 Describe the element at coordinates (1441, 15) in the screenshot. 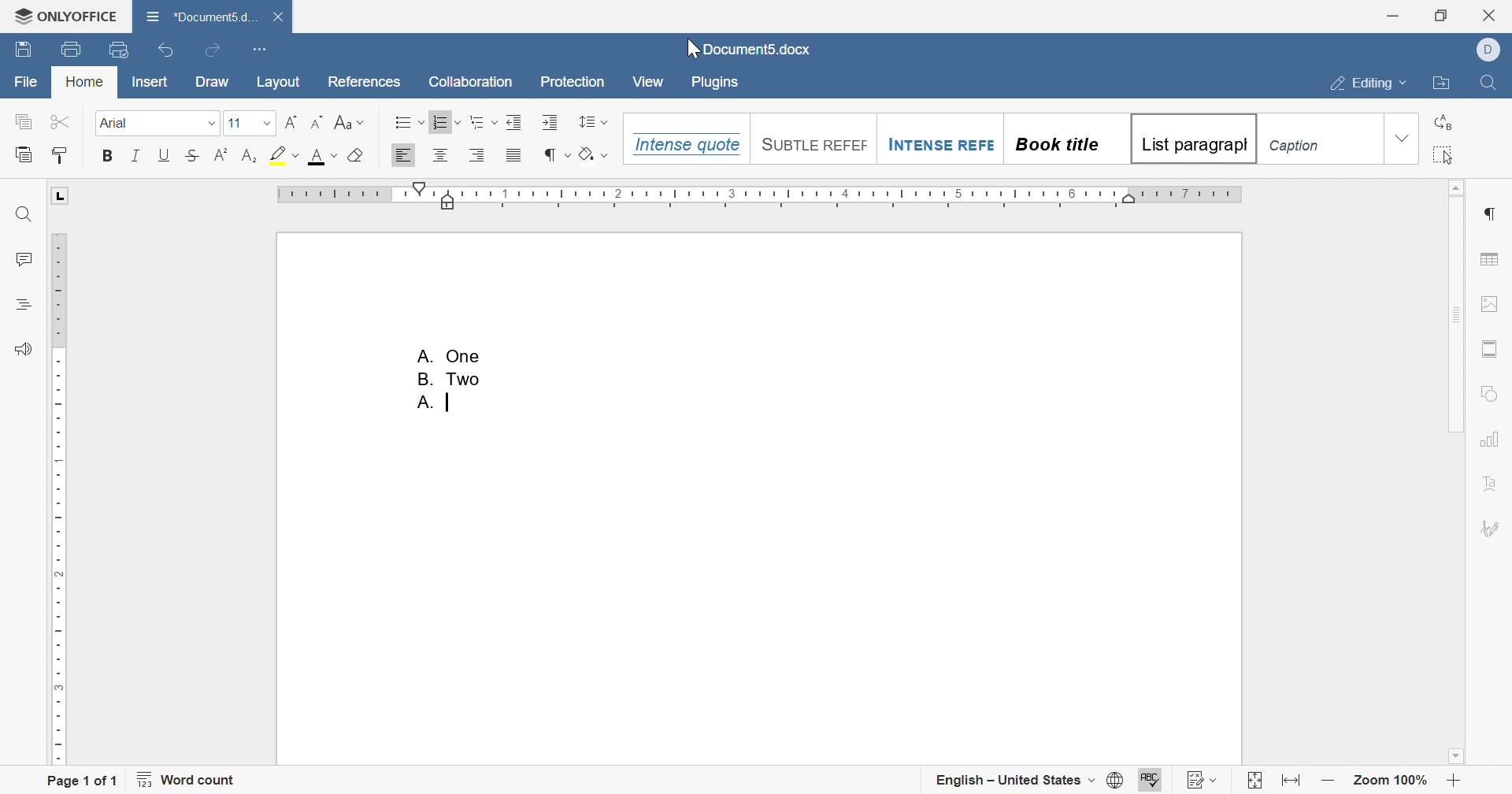

I see `restore down` at that location.